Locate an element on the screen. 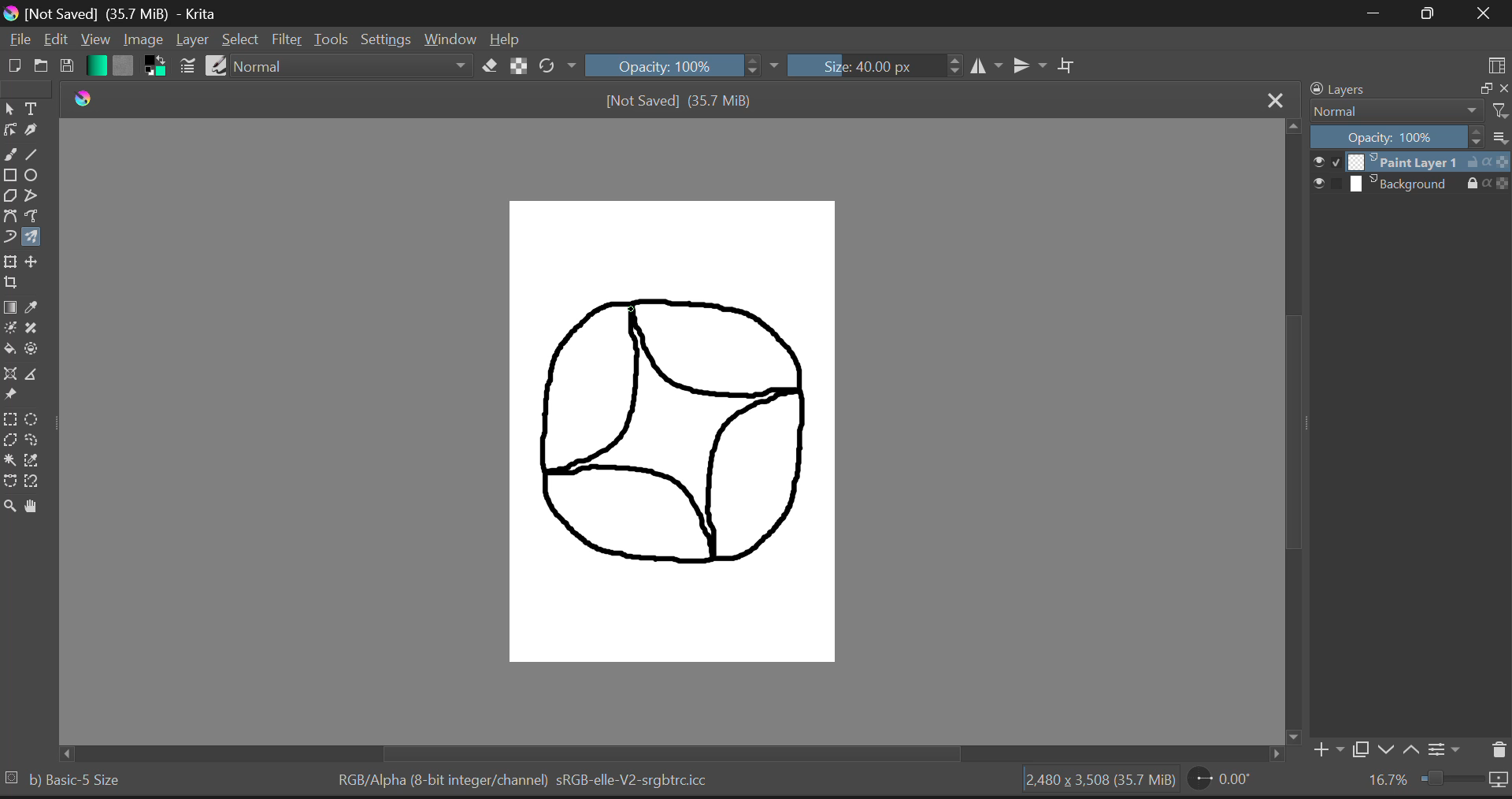 This screenshot has width=1512, height=799. Scroll Bar is located at coordinates (1293, 423).